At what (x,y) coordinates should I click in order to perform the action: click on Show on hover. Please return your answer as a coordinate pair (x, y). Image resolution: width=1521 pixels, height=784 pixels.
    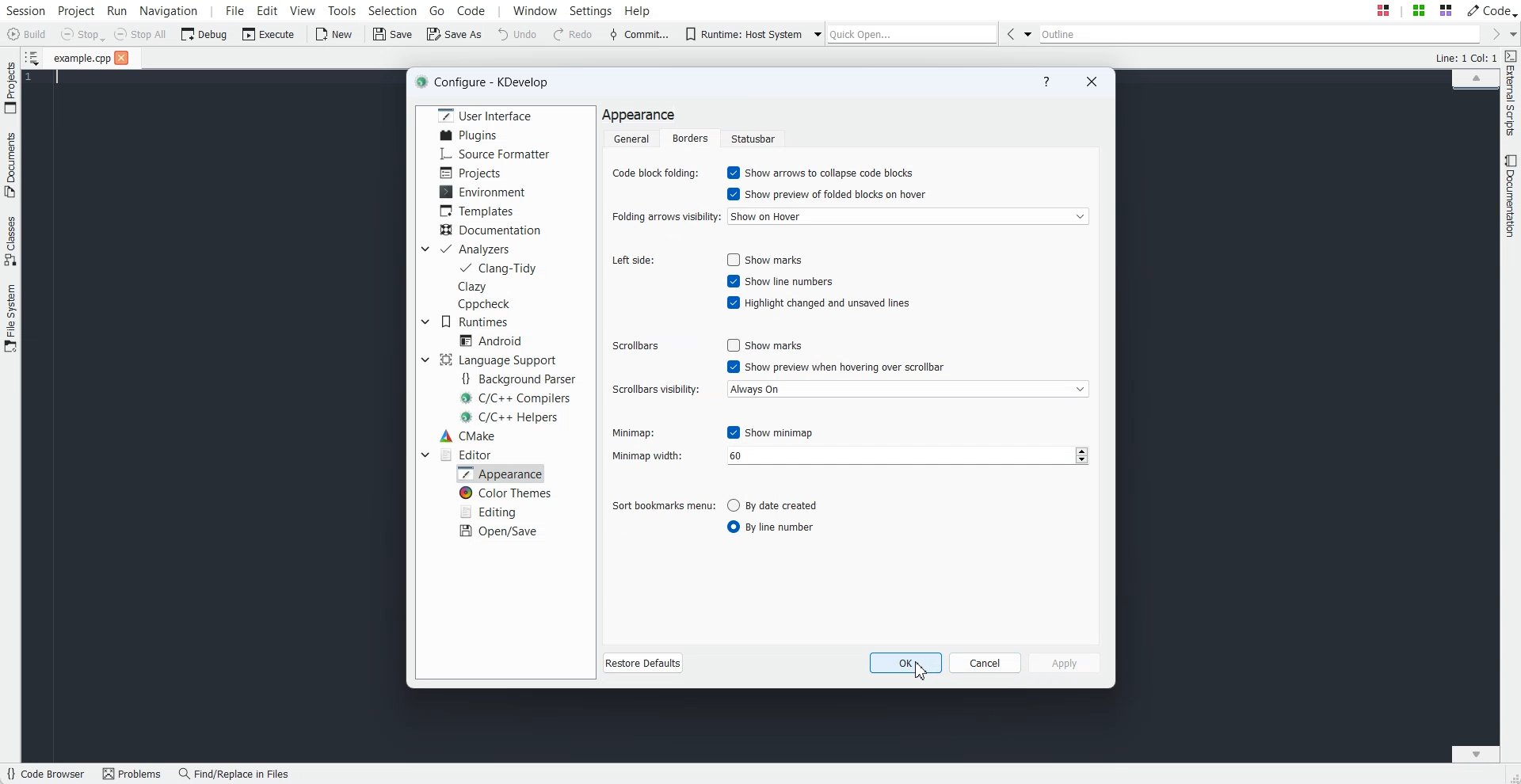
    Looking at the image, I should click on (907, 216).